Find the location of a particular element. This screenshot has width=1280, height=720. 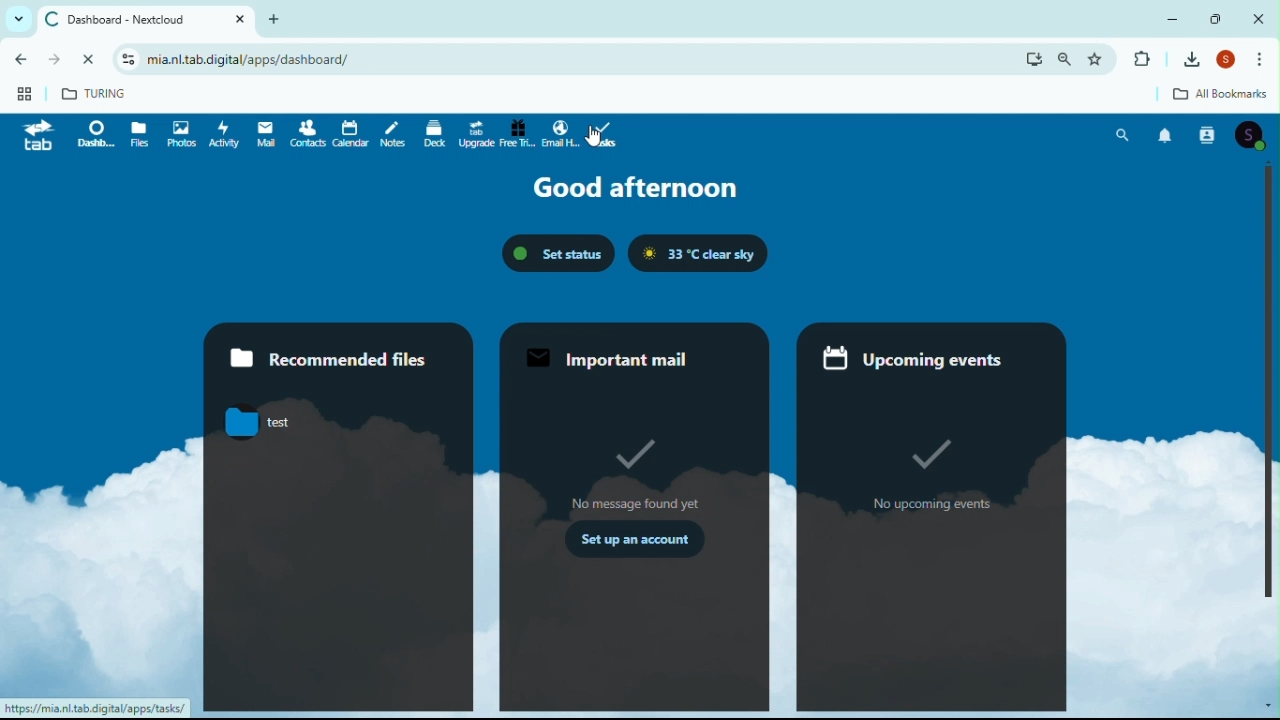

download is located at coordinates (1034, 59).